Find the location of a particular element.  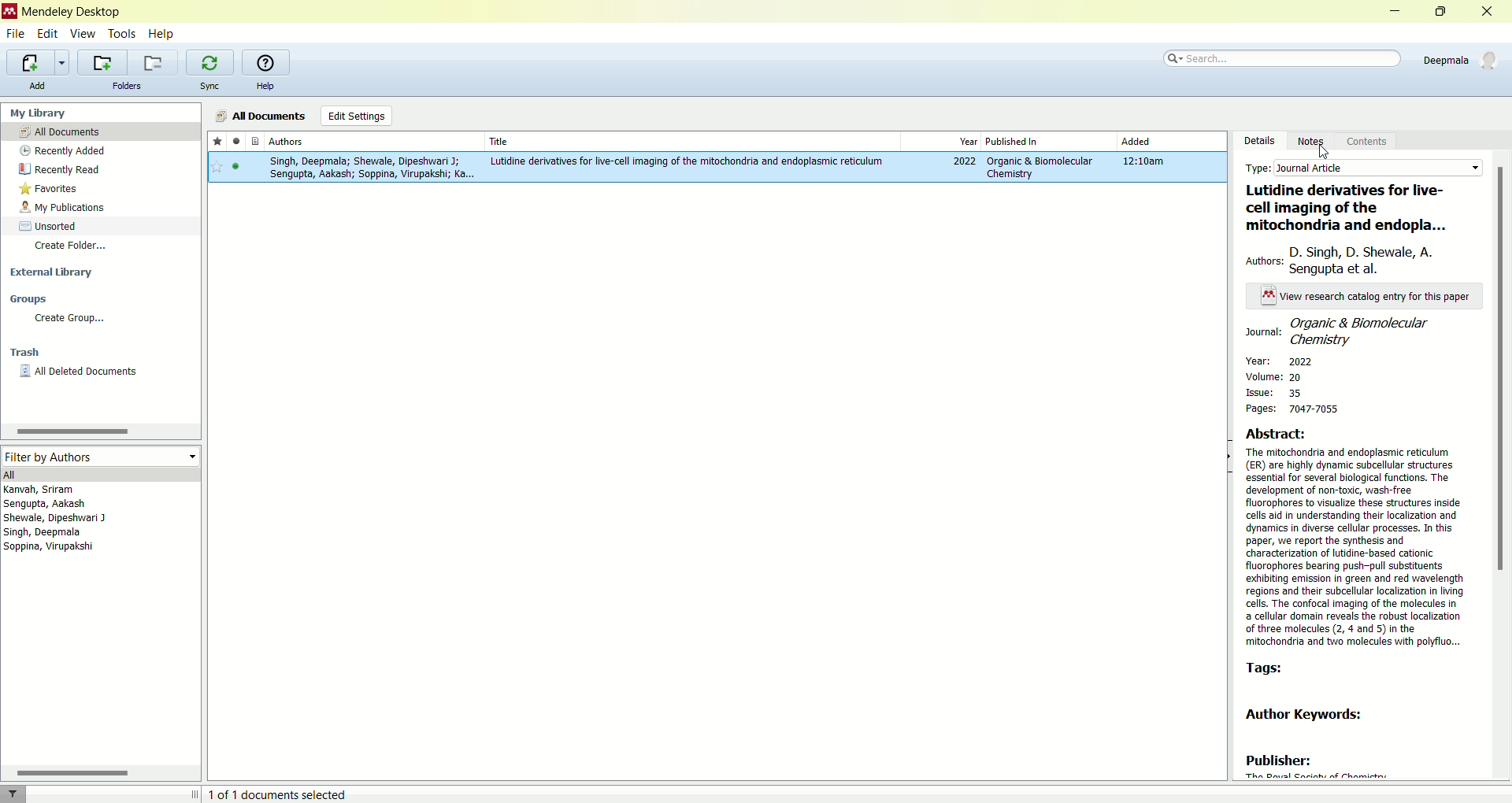

Scrollbar is located at coordinates (70, 432).